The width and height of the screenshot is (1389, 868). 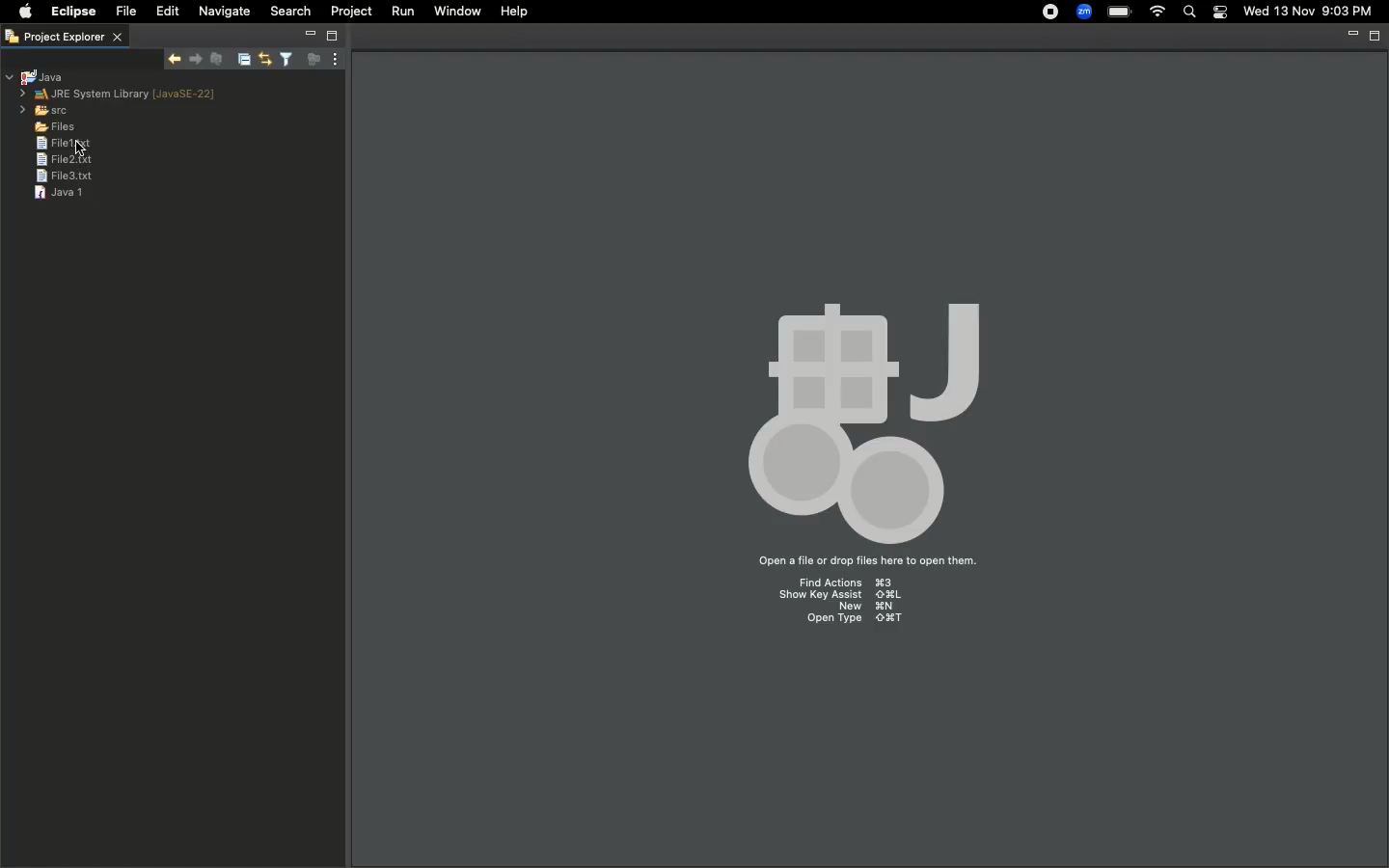 I want to click on Search, so click(x=1189, y=13).